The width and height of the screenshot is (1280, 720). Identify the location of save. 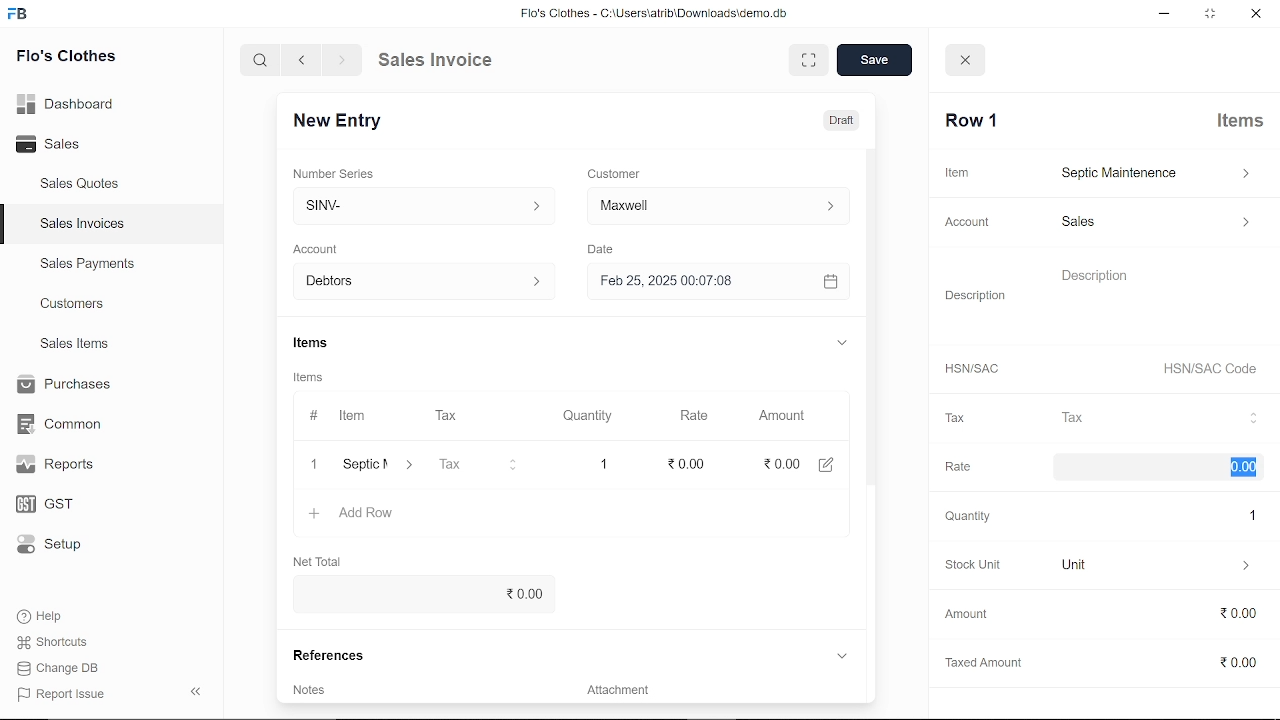
(875, 60).